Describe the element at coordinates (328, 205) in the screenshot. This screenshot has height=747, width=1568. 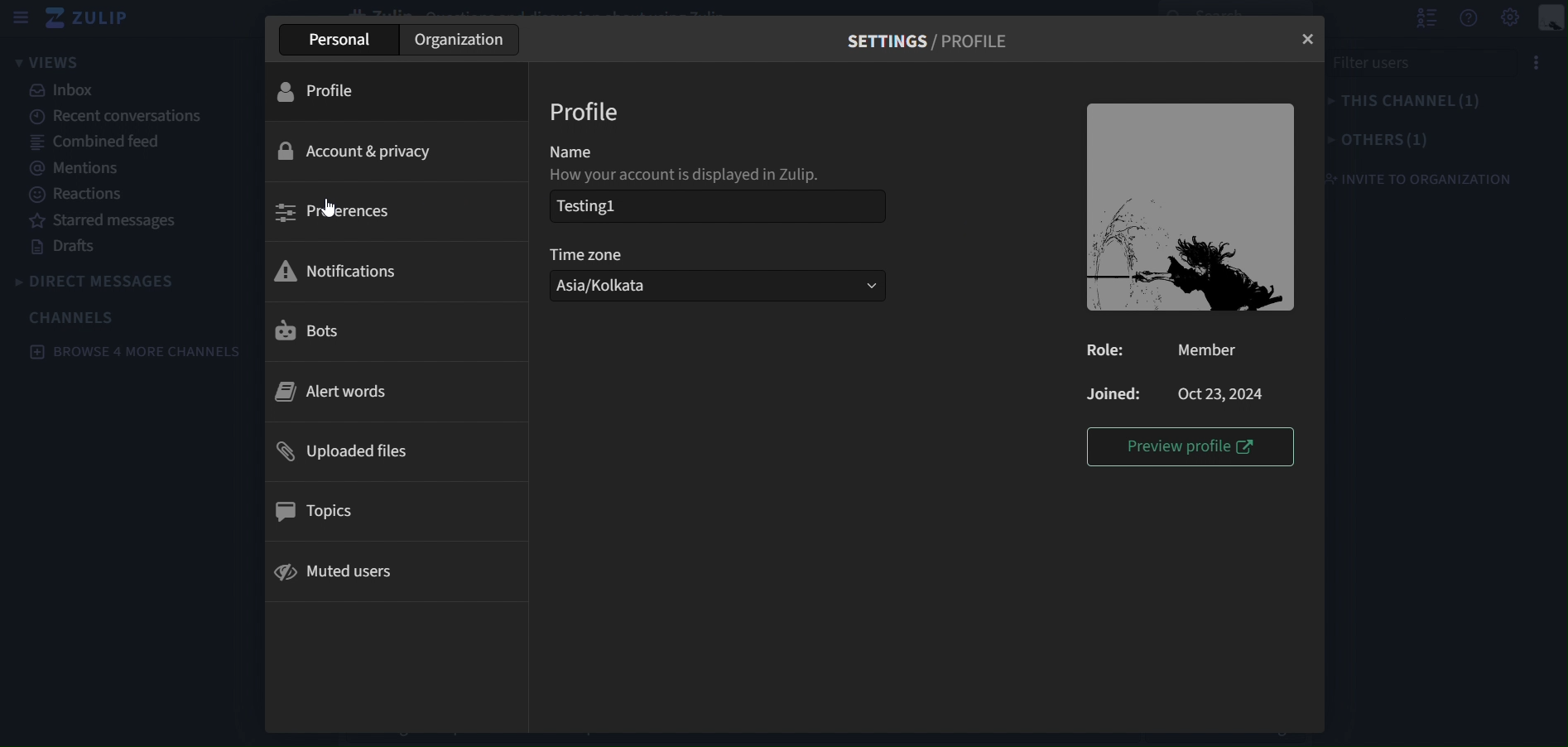
I see `cursor` at that location.